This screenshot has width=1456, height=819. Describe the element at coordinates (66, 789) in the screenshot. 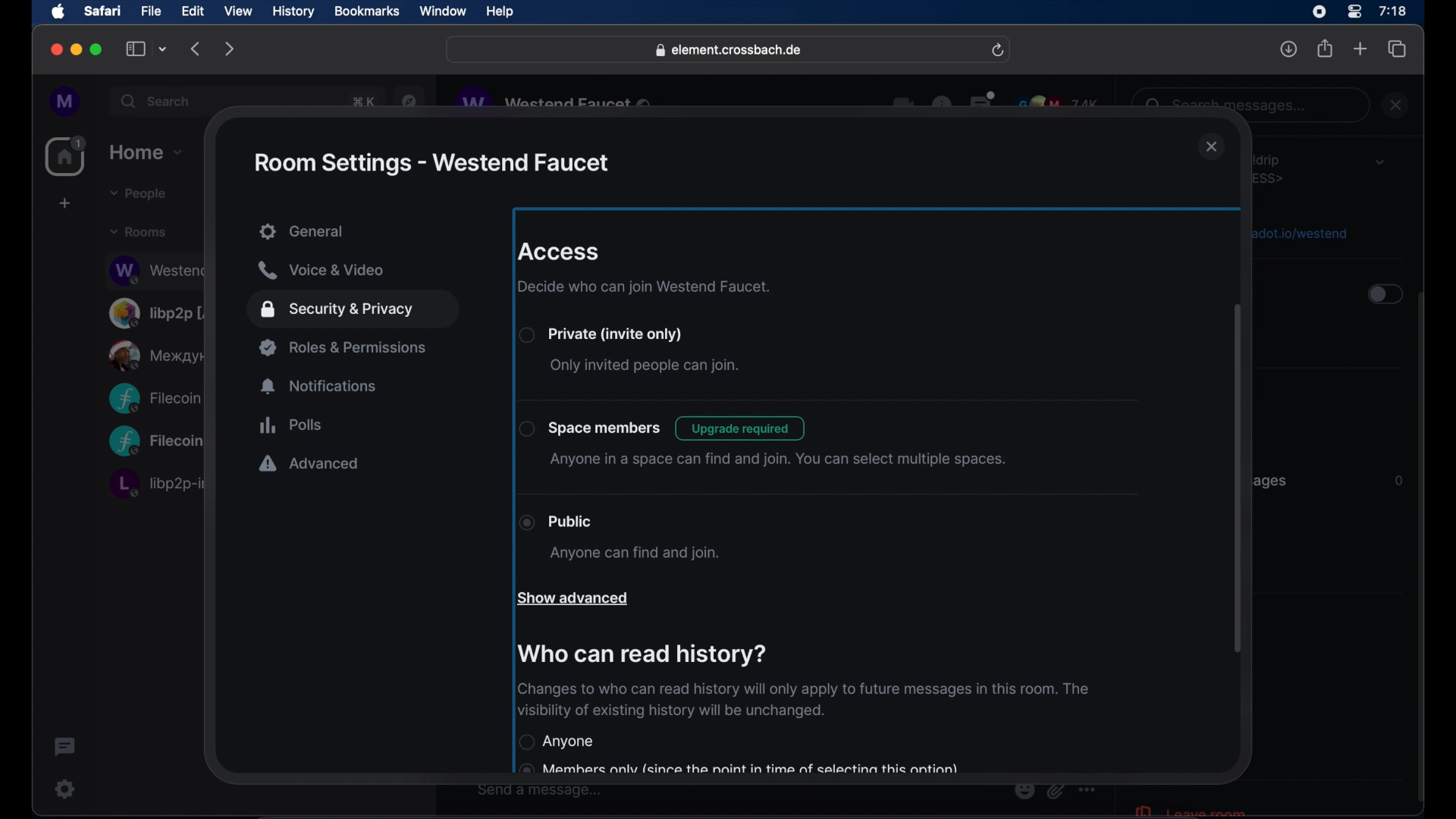

I see `settings` at that location.